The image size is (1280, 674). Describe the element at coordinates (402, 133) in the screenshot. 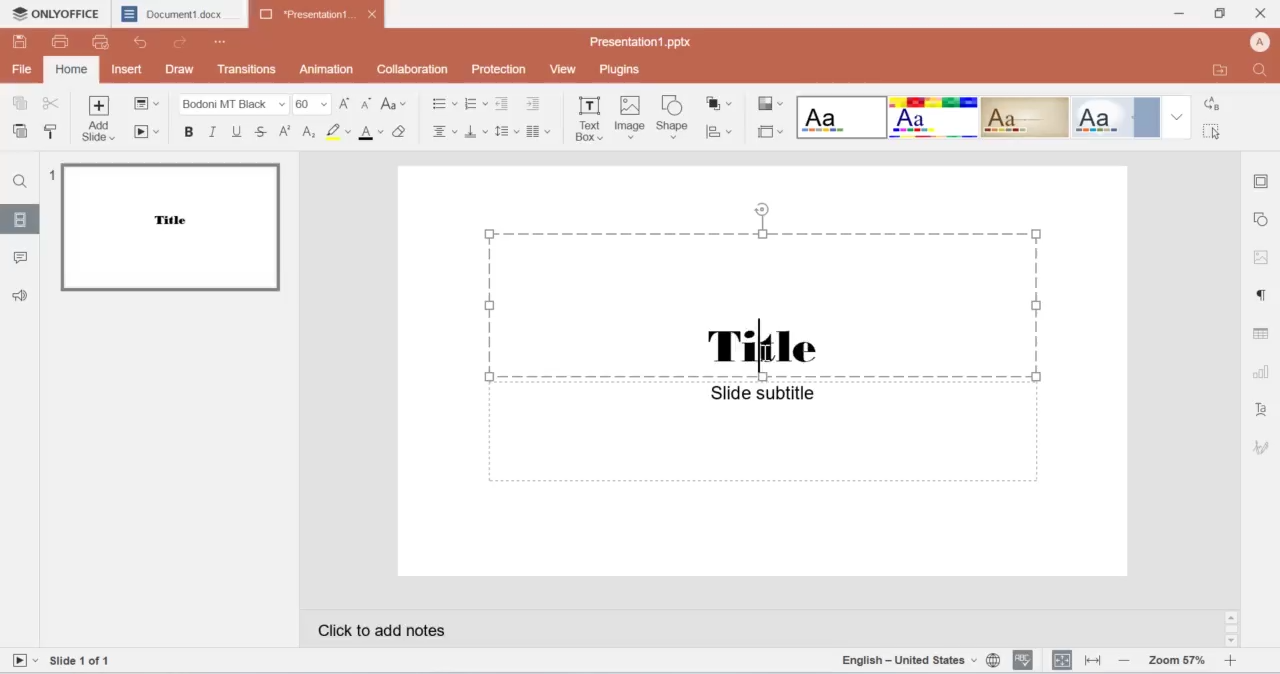

I see `erase ` at that location.